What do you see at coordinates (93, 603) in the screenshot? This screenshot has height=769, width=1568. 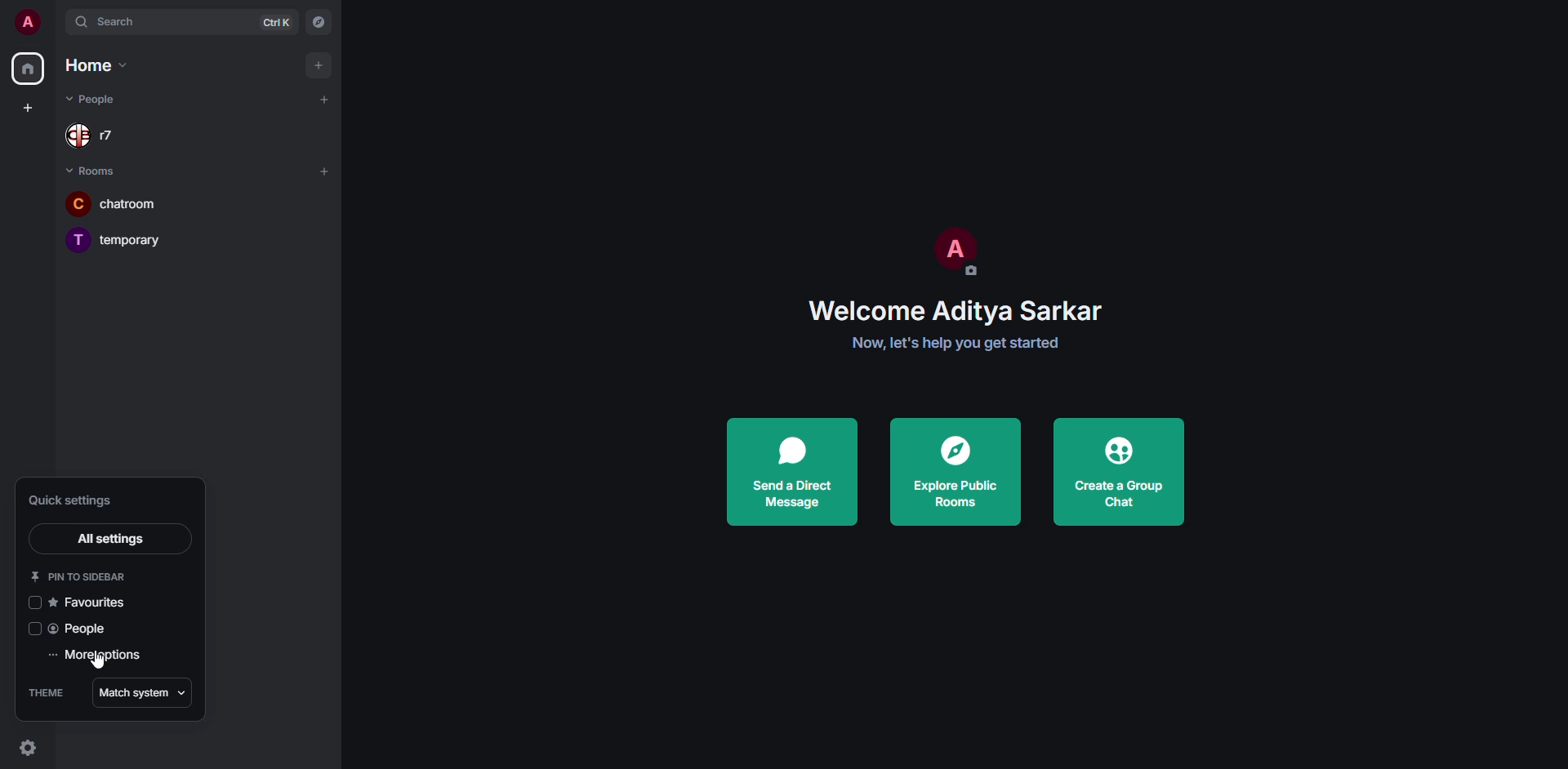 I see `favorites` at bounding box center [93, 603].